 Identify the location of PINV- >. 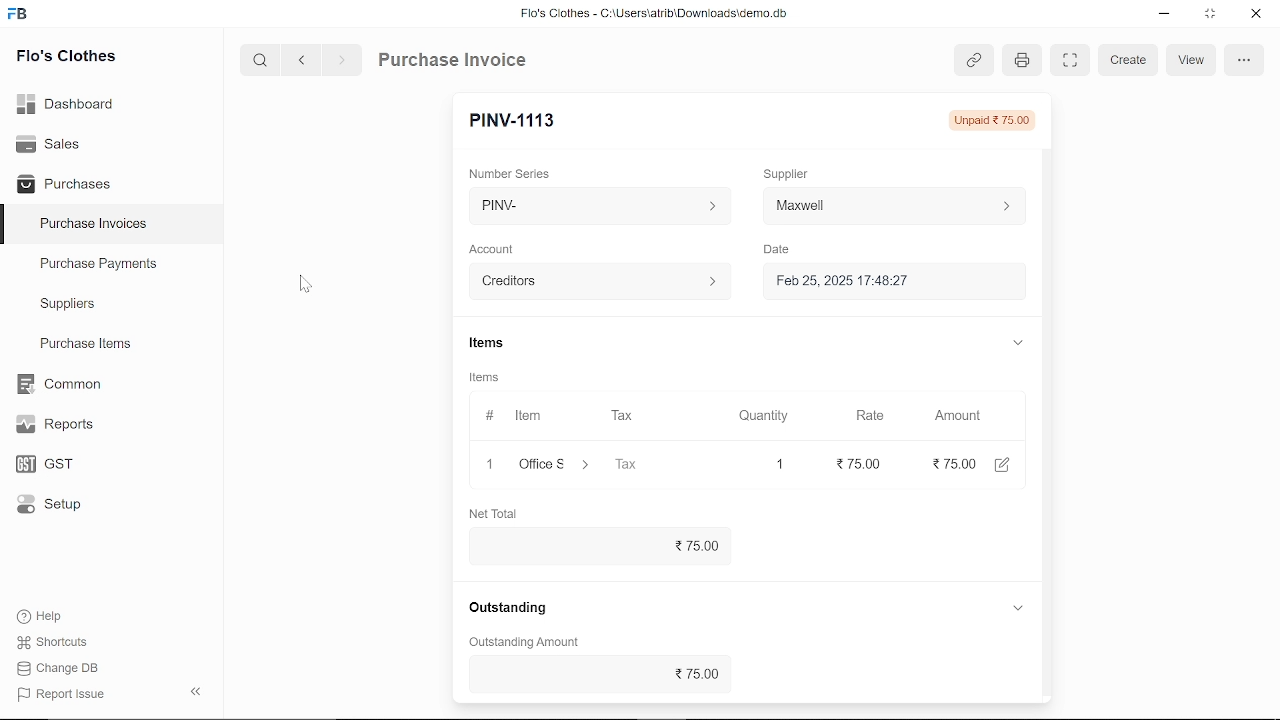
(593, 206).